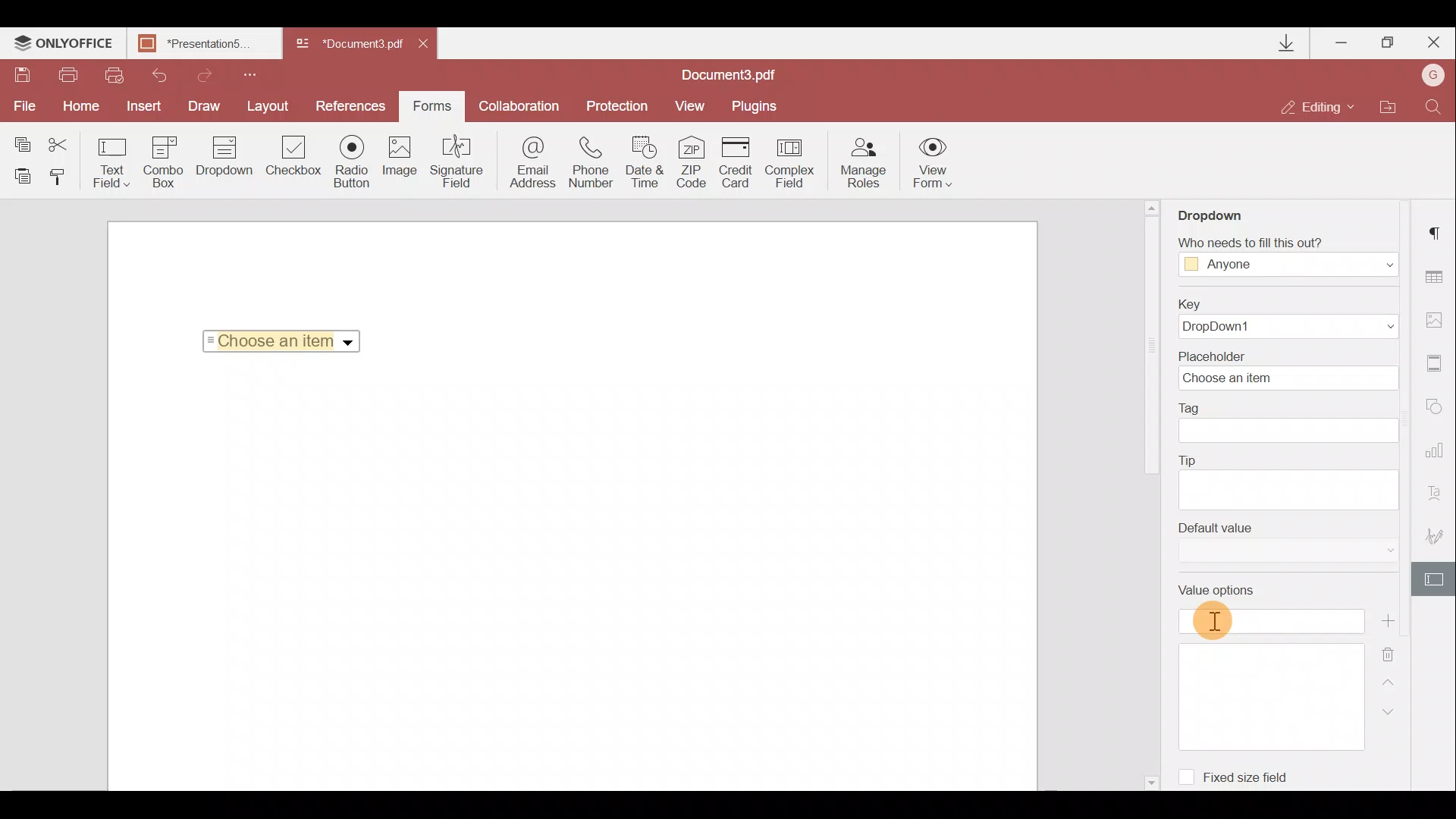 The image size is (1456, 819). What do you see at coordinates (224, 158) in the screenshot?
I see `Drop down` at bounding box center [224, 158].